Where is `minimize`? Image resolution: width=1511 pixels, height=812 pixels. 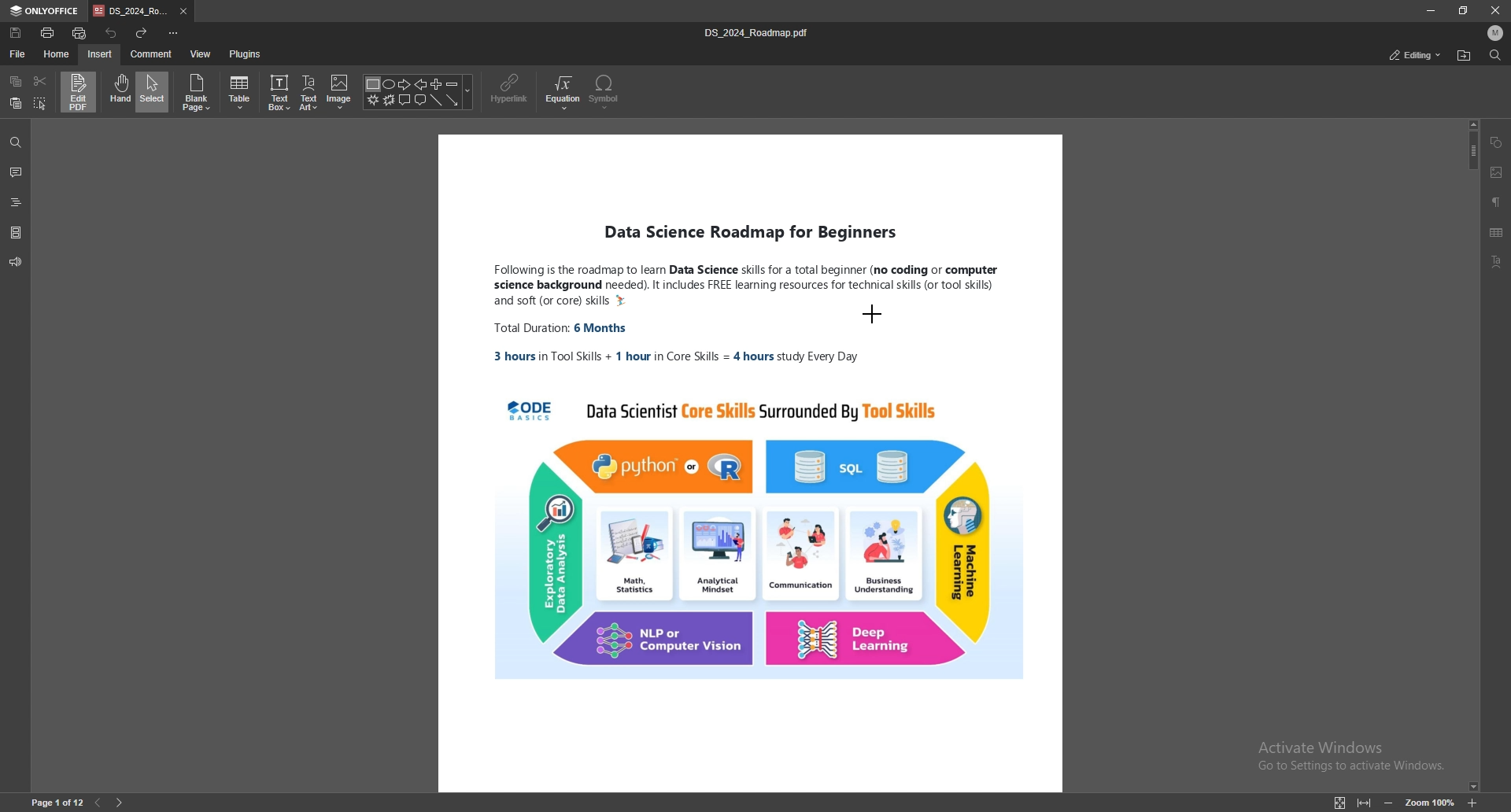 minimize is located at coordinates (1429, 10).